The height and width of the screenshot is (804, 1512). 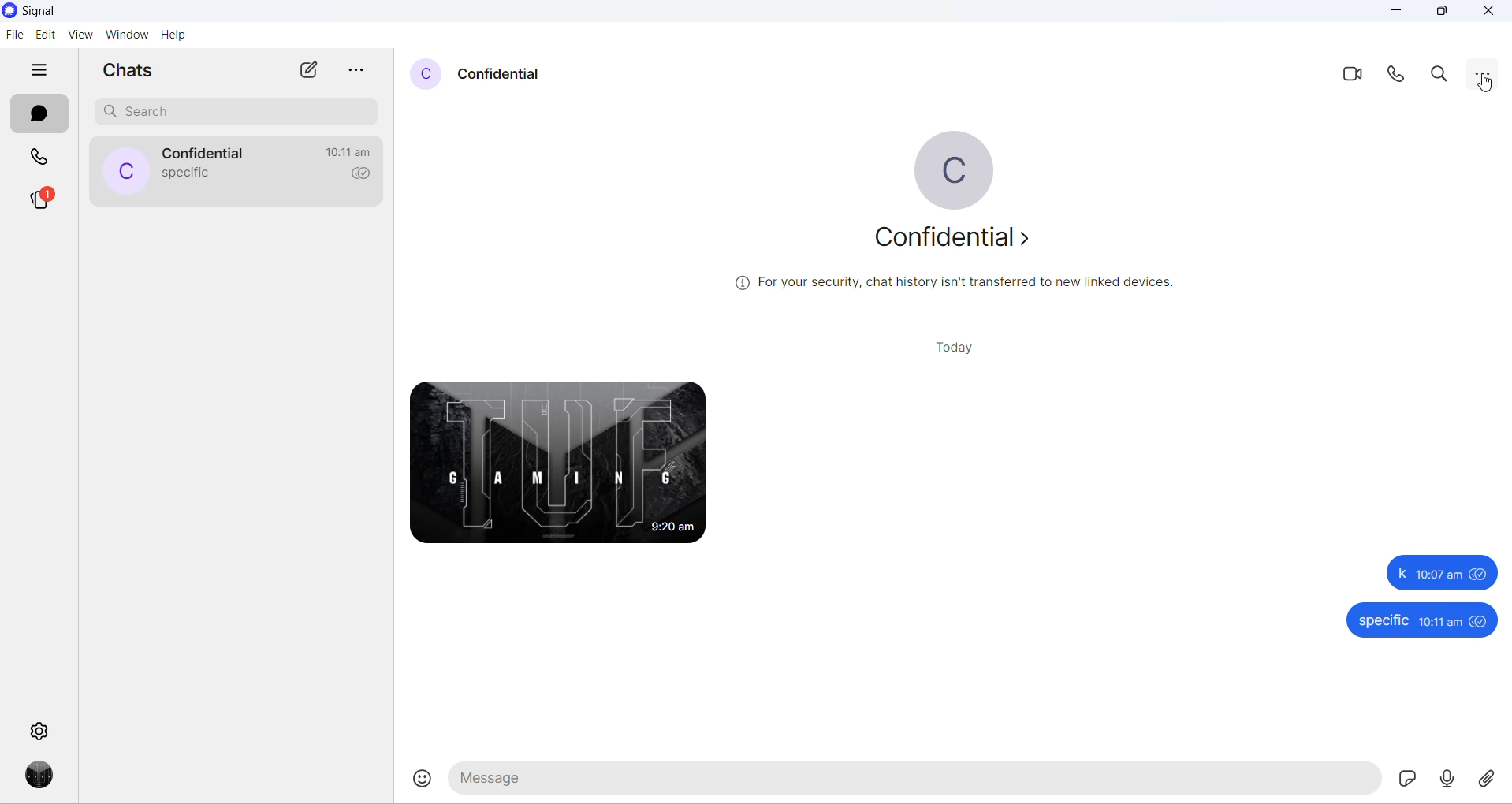 What do you see at coordinates (39, 73) in the screenshot?
I see `hide tabs` at bounding box center [39, 73].